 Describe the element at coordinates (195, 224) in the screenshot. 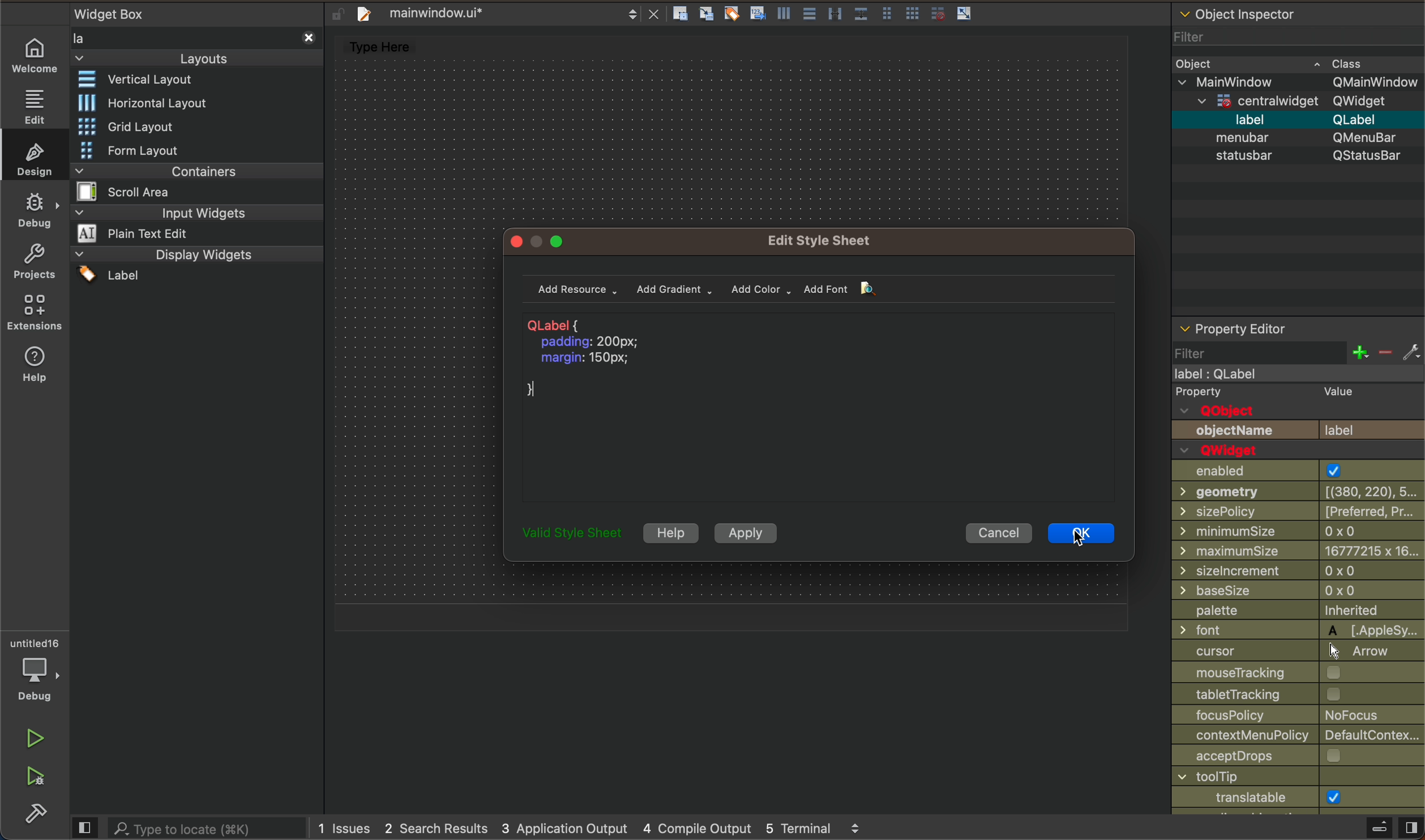

I see `input widget` at that location.